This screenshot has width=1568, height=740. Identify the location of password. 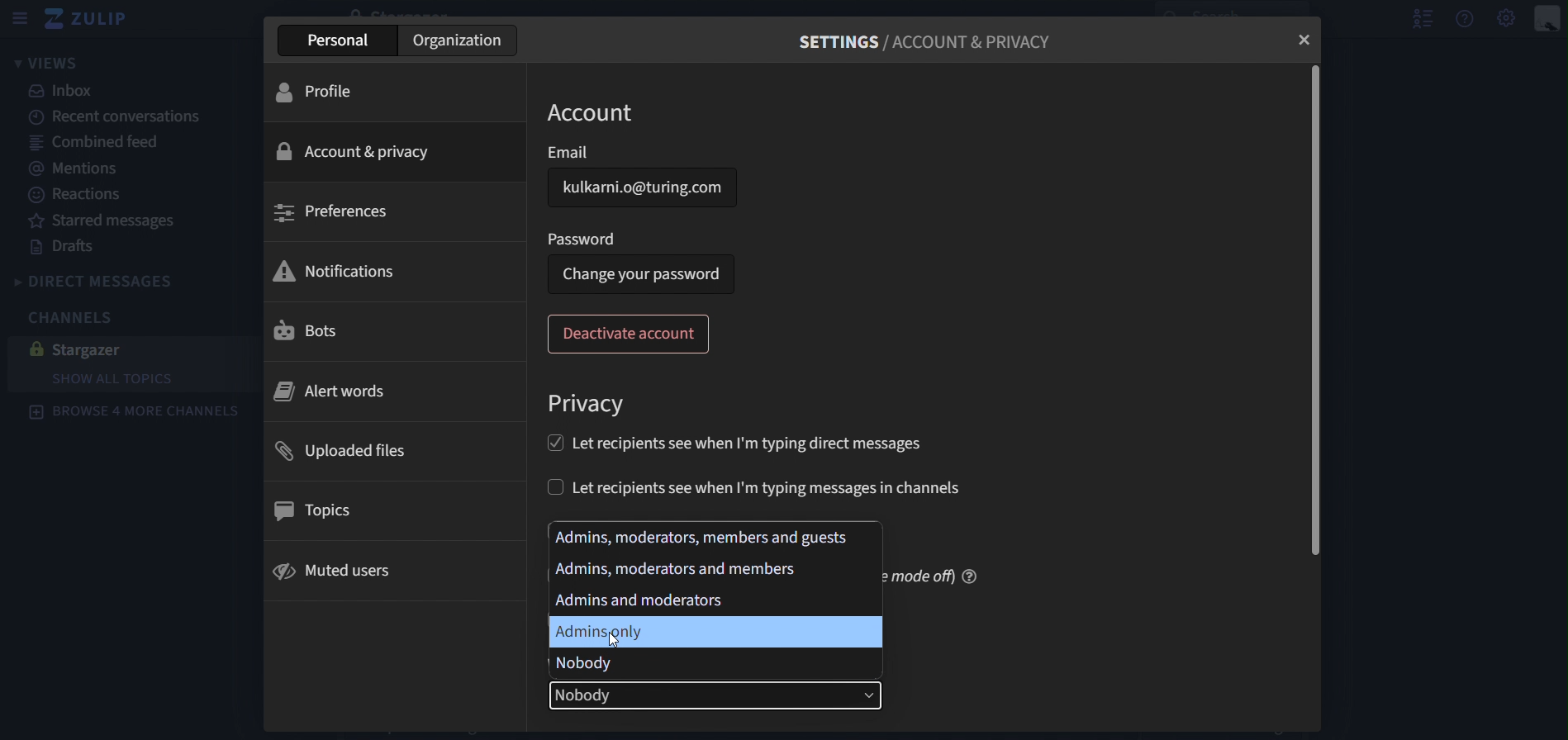
(584, 239).